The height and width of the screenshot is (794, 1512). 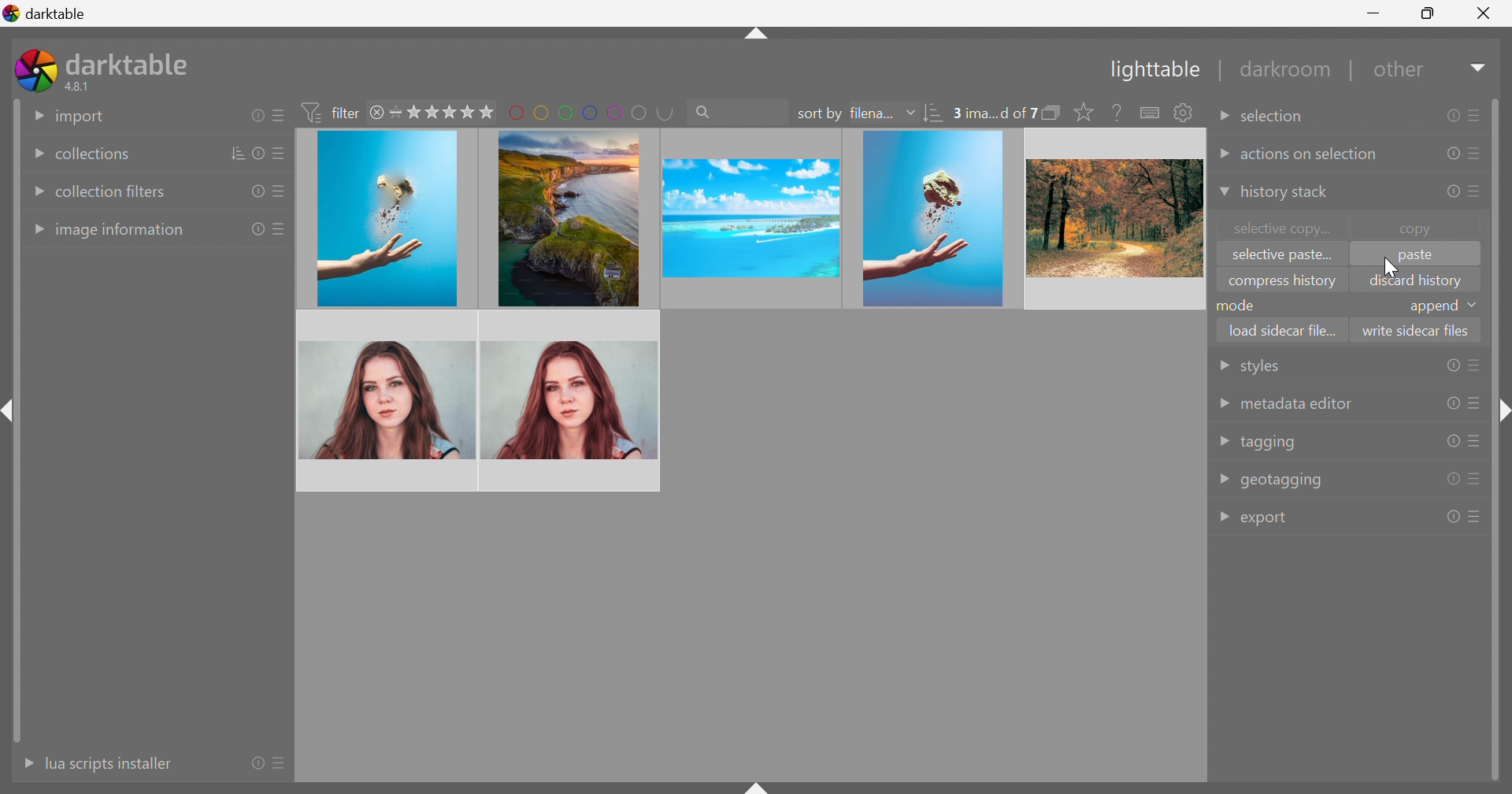 I want to click on presets, so click(x=1477, y=477).